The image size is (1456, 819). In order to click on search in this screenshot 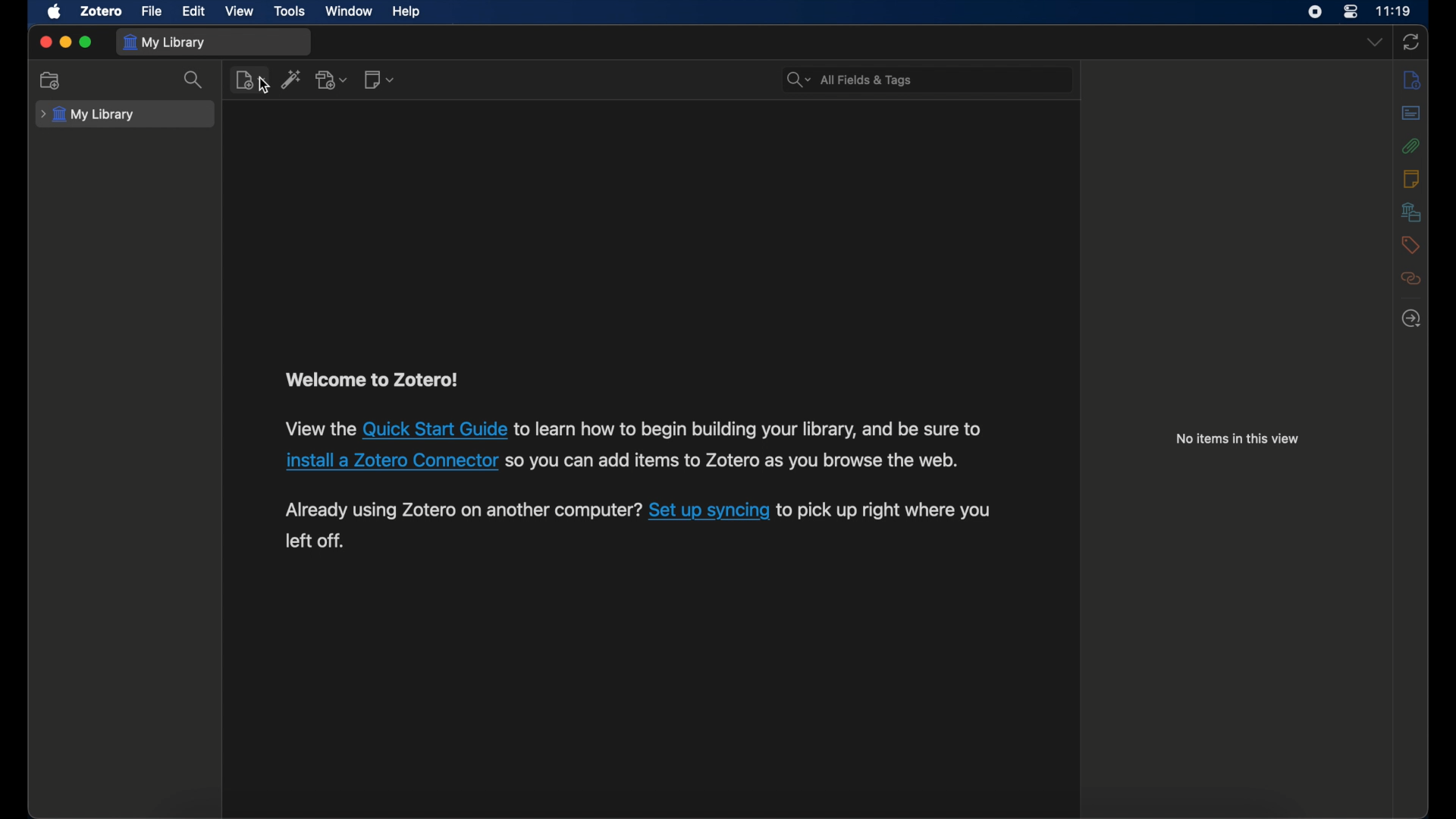, I will do `click(848, 80)`.